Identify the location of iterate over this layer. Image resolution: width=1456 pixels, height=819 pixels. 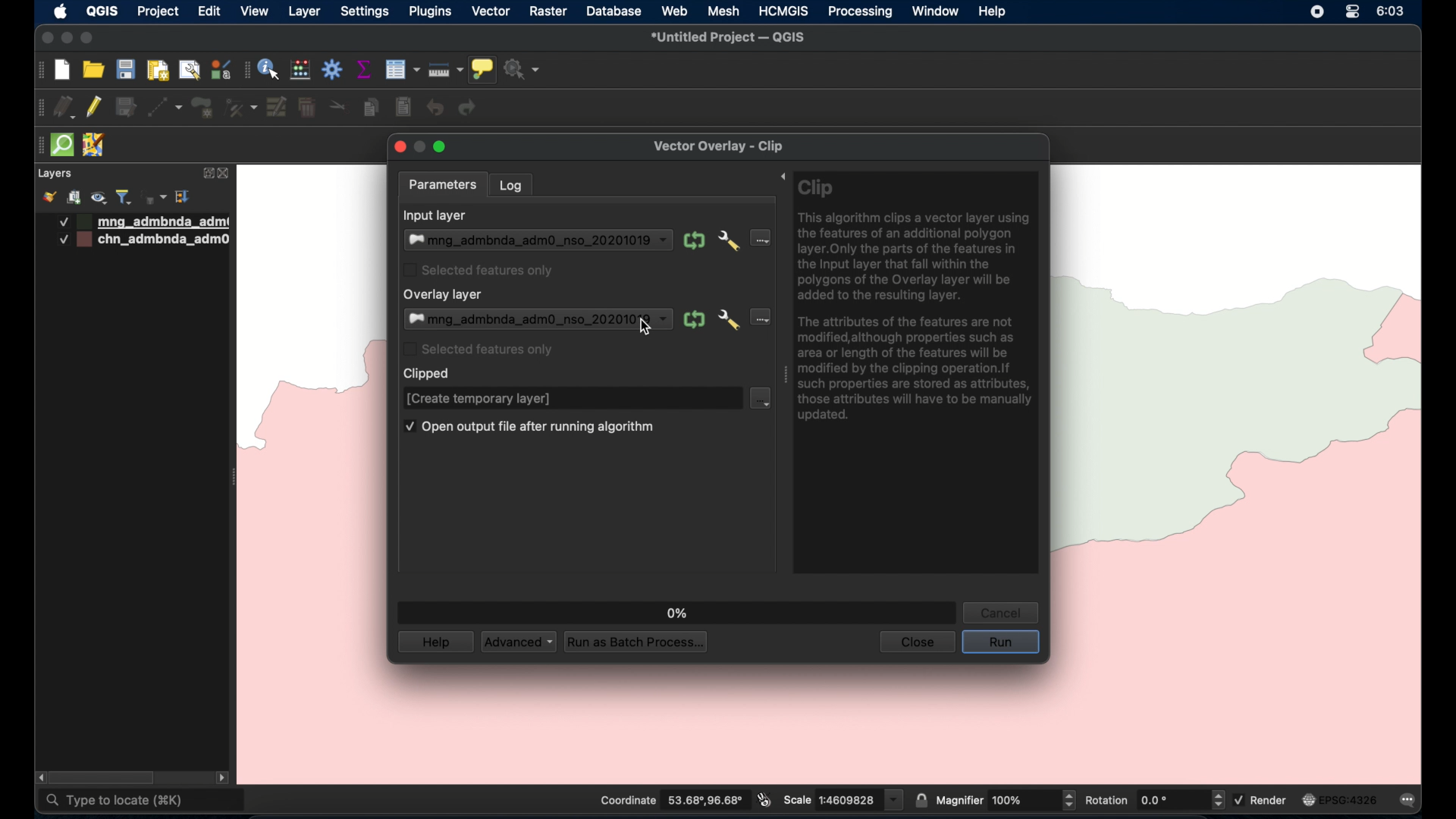
(693, 240).